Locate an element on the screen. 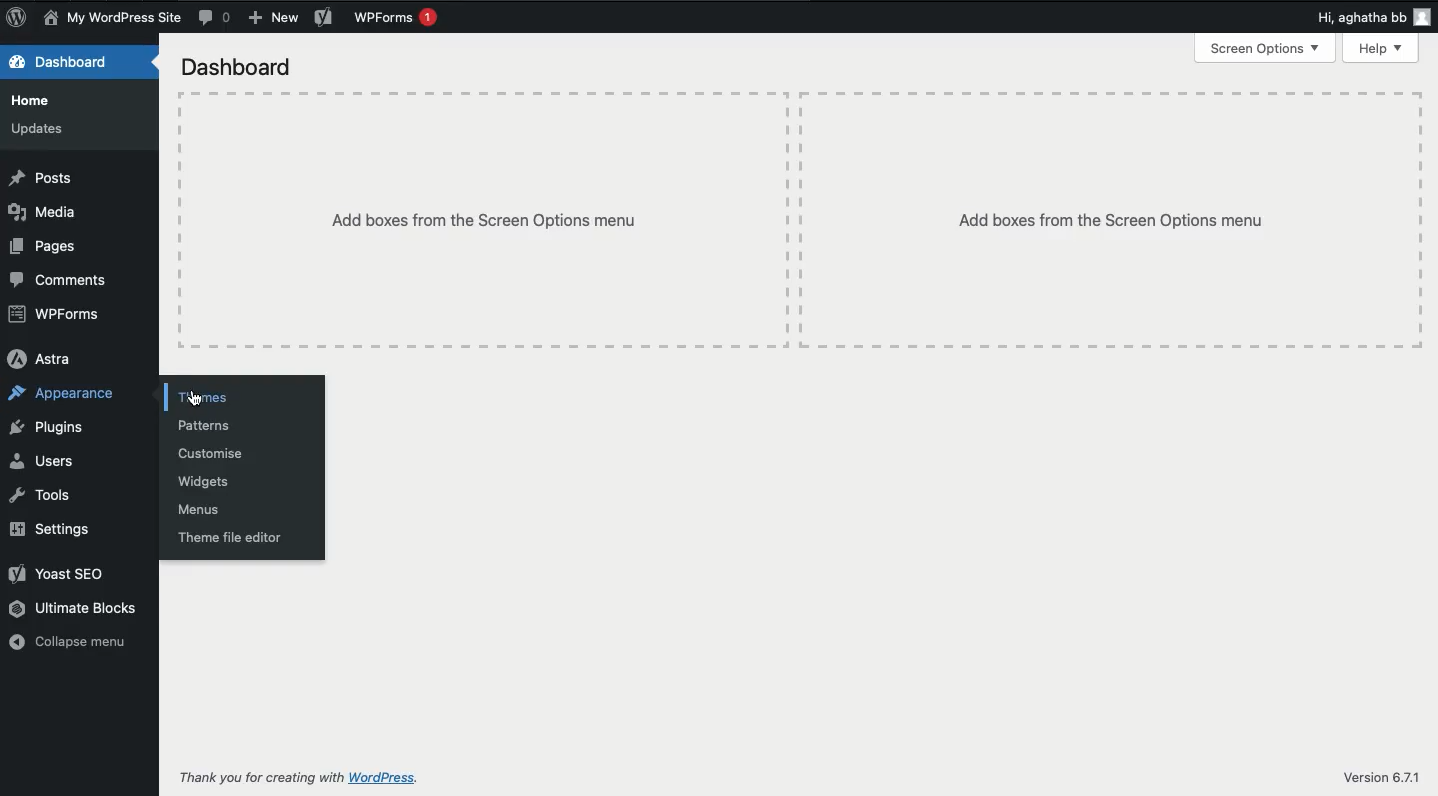 The height and width of the screenshot is (796, 1438). Ultimate blocks is located at coordinates (75, 610).